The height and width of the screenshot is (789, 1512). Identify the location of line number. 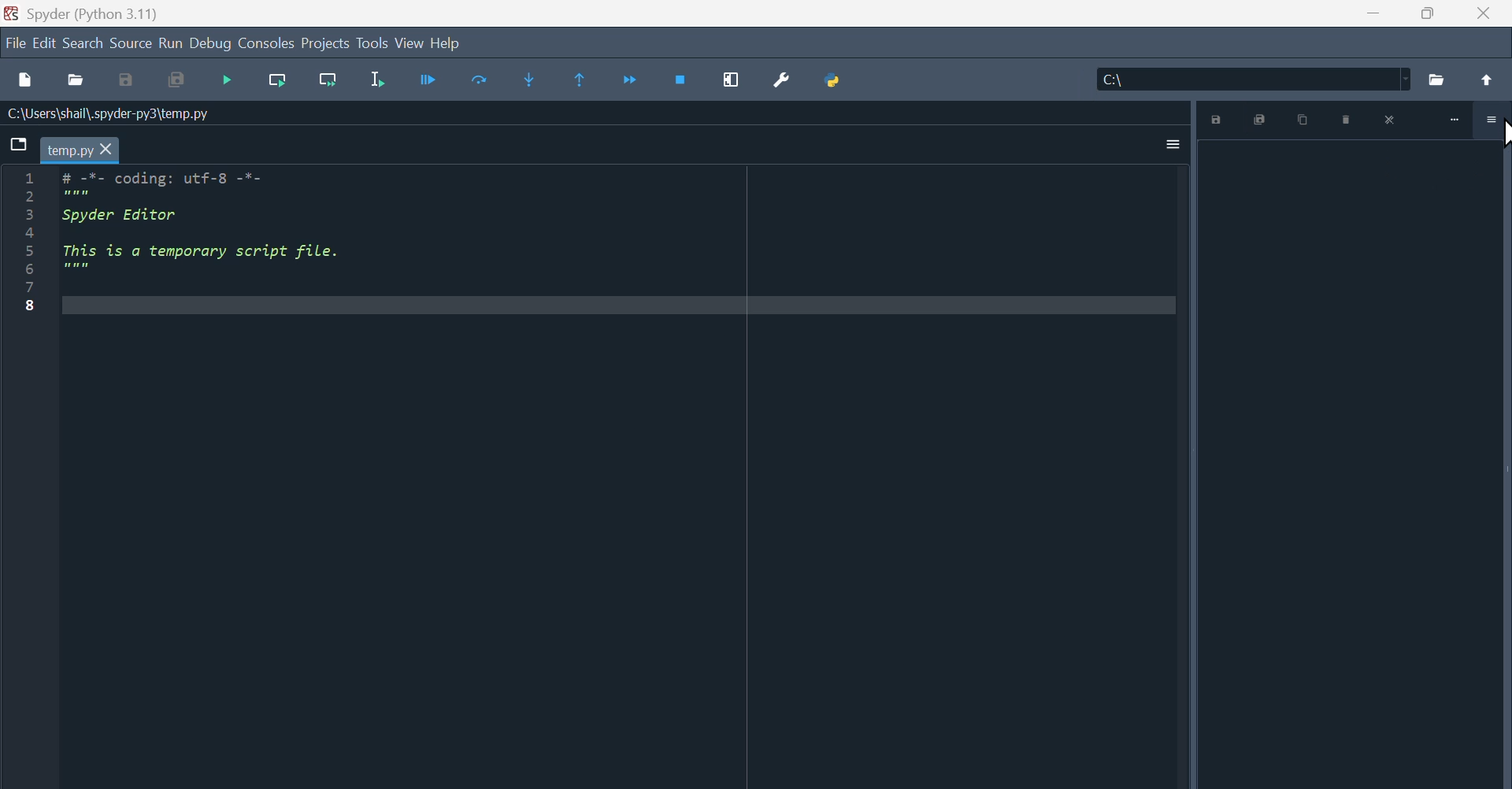
(35, 249).